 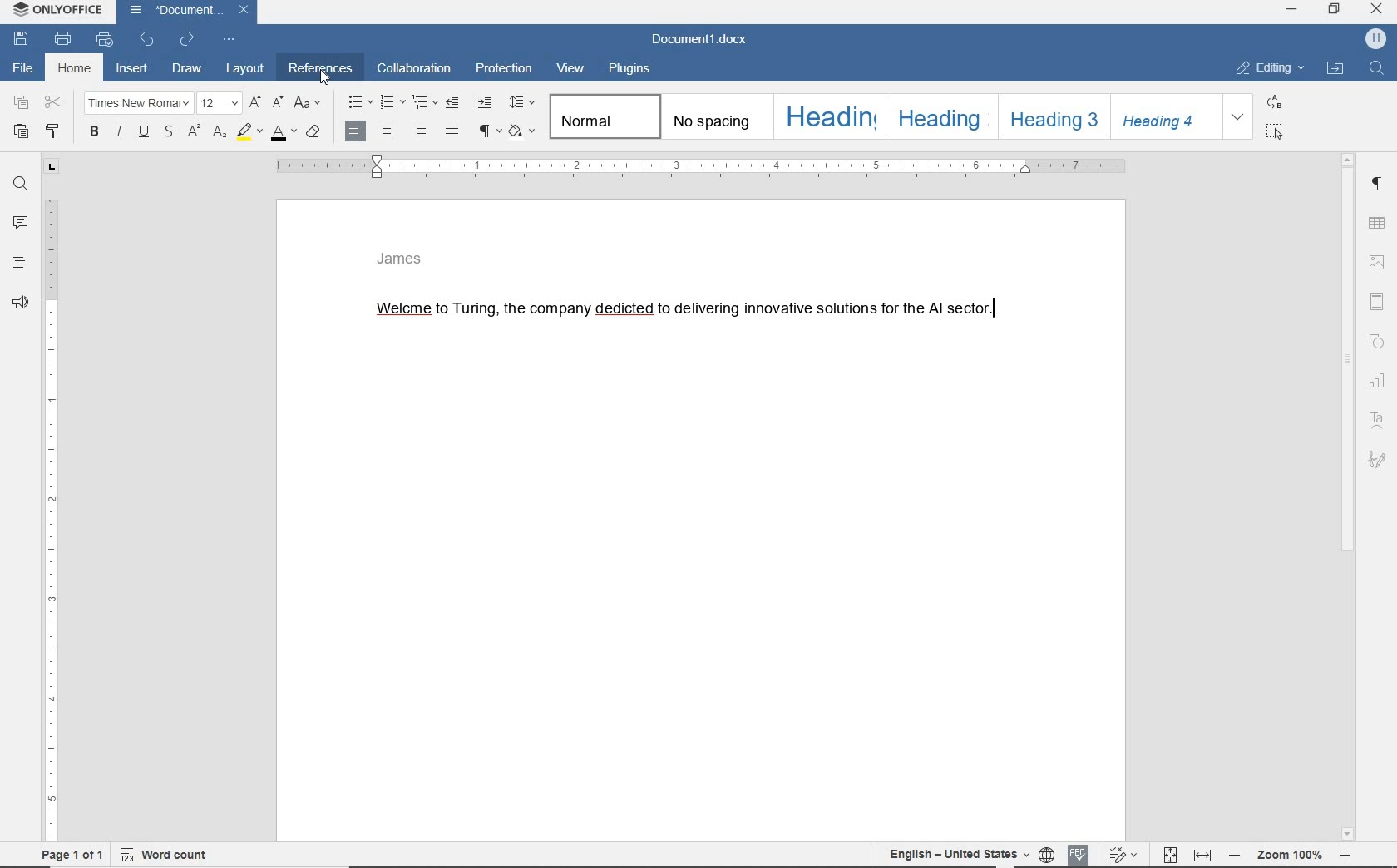 I want to click on strikethrough, so click(x=171, y=132).